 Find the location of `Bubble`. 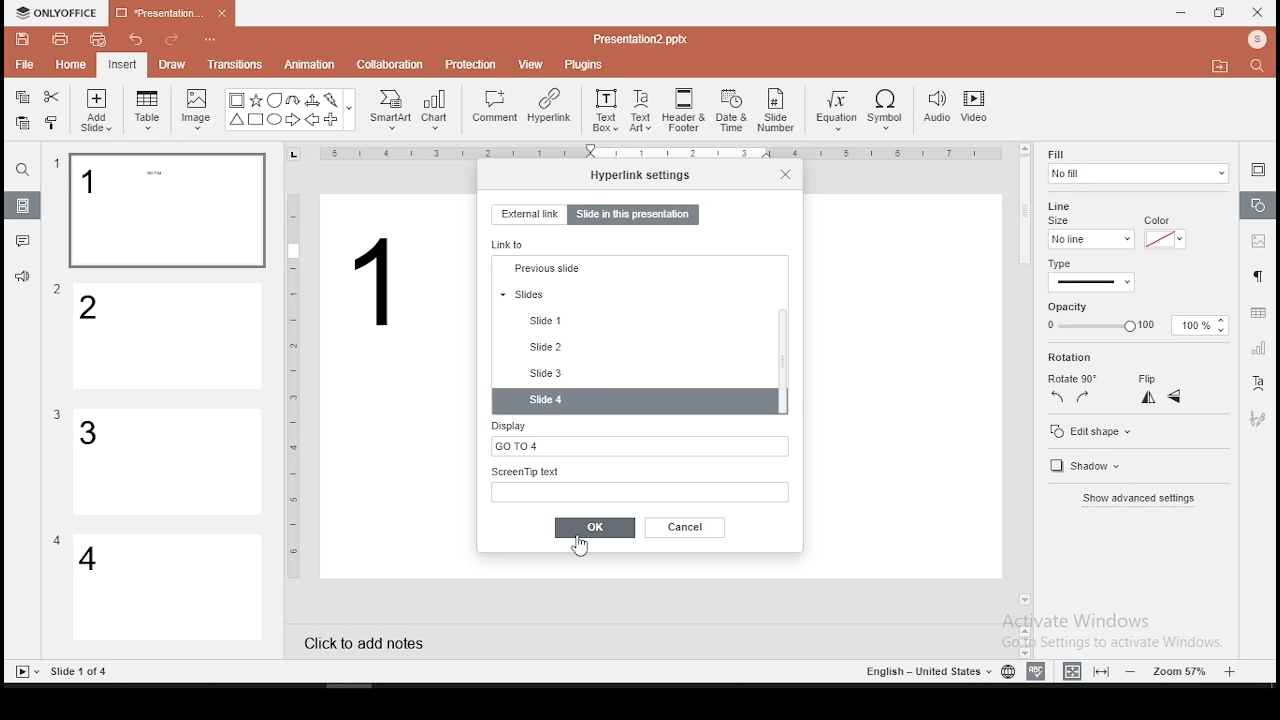

Bubble is located at coordinates (274, 100).